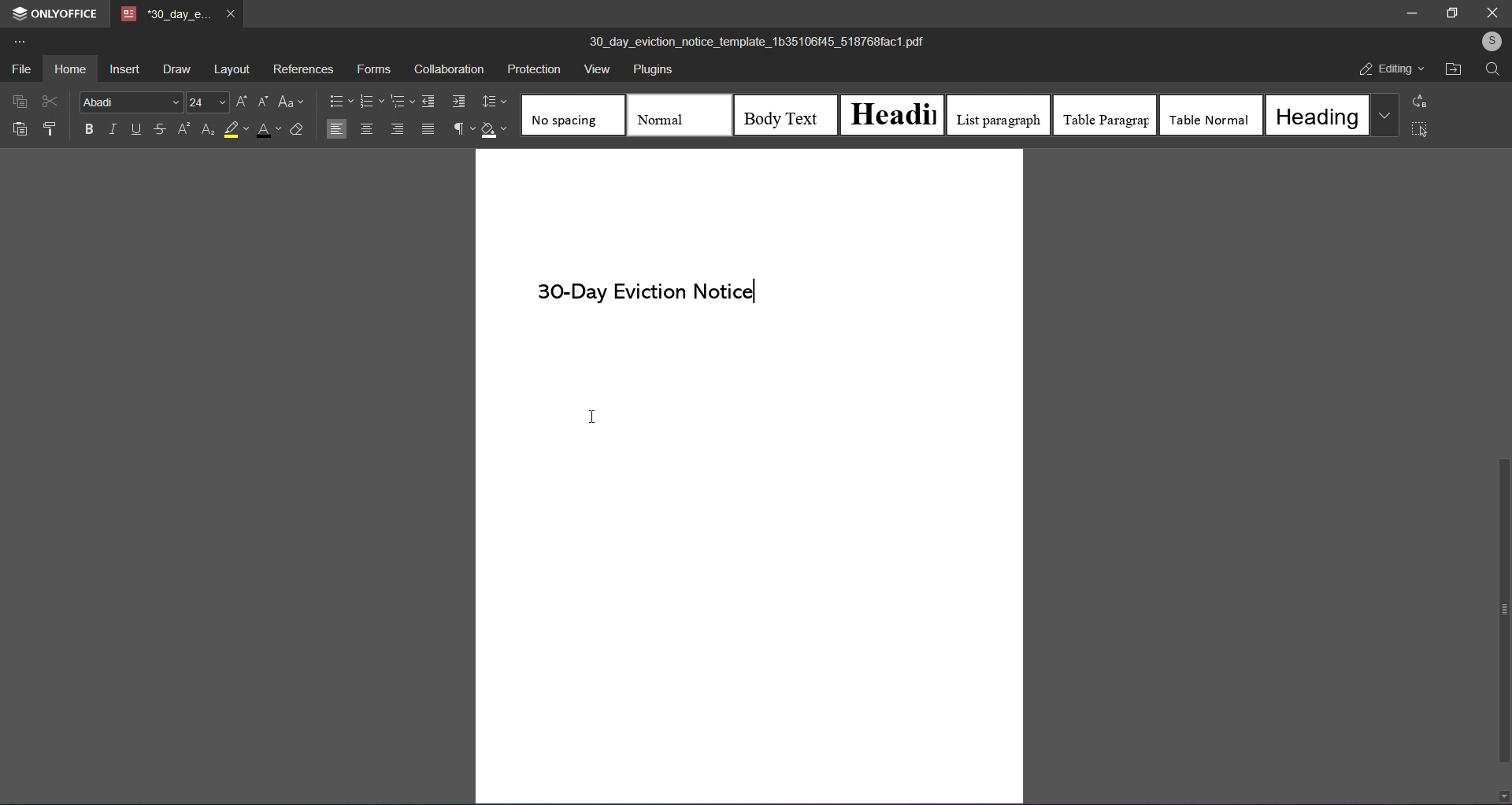 Image resolution: width=1512 pixels, height=805 pixels. Describe the element at coordinates (402, 102) in the screenshot. I see `multilevel list` at that location.